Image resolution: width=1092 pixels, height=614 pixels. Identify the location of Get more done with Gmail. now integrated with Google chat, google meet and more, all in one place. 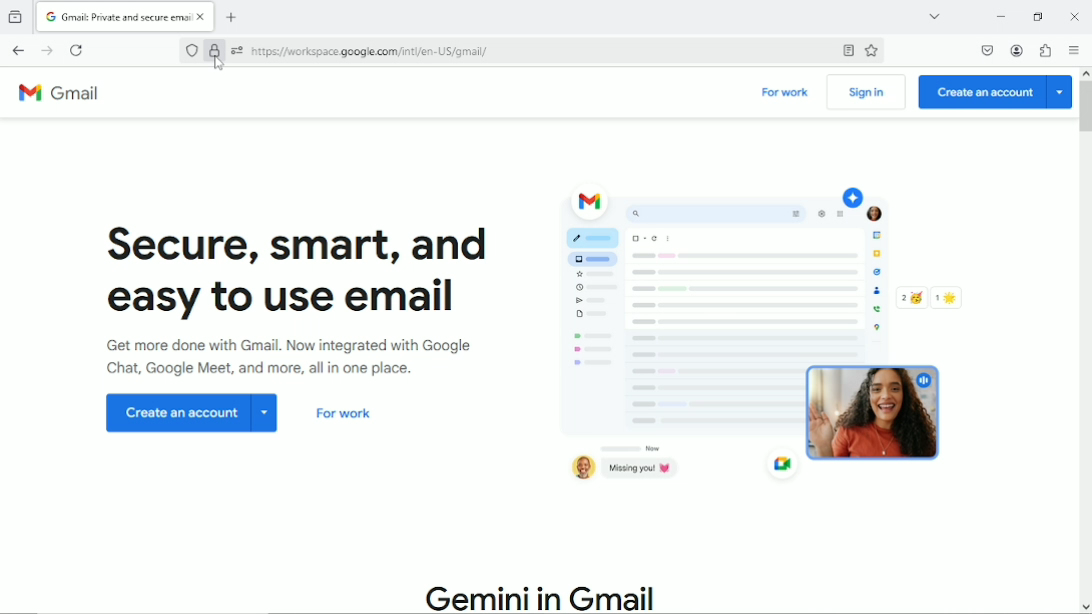
(304, 362).